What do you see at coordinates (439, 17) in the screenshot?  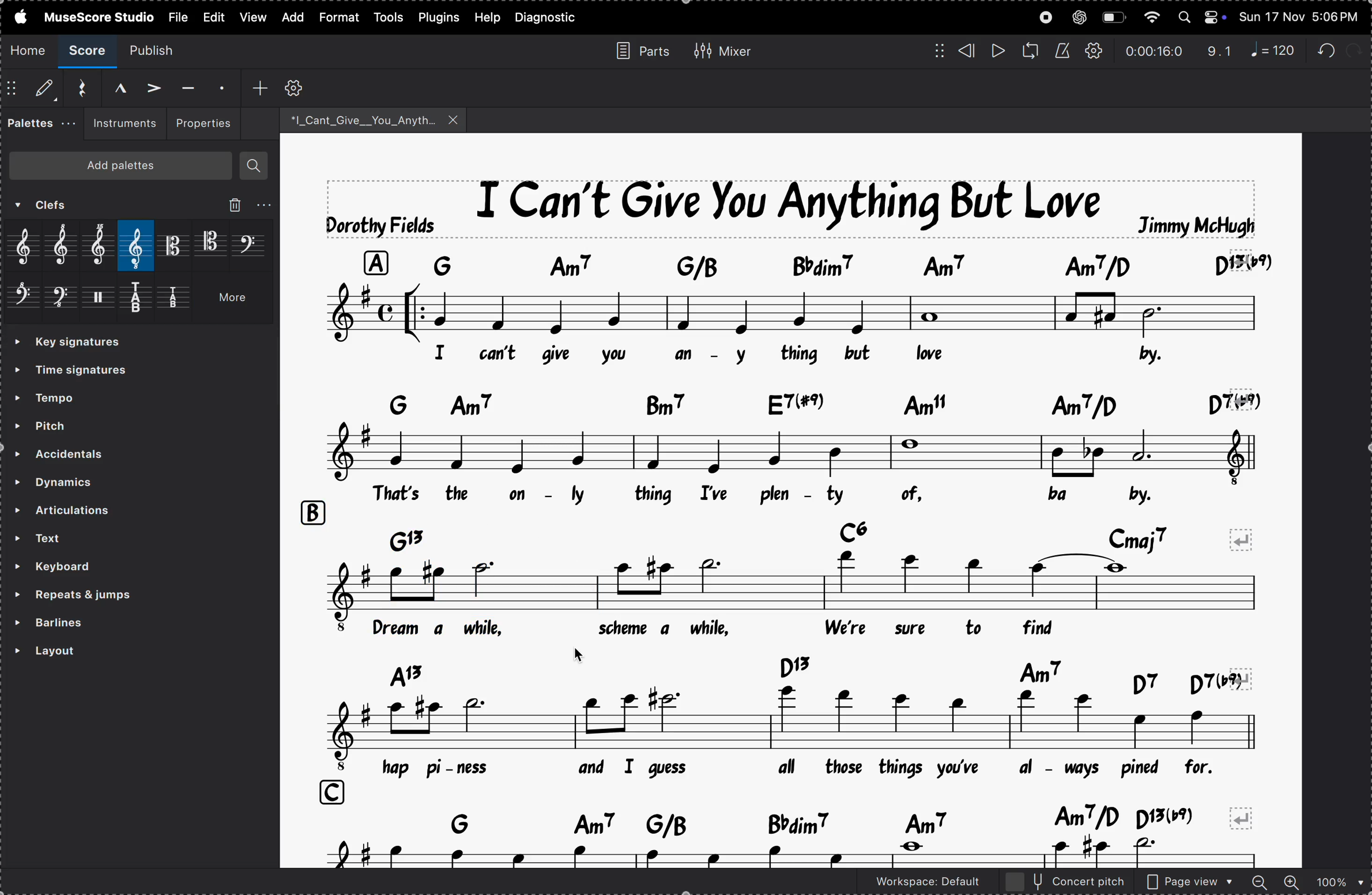 I see `plugins` at bounding box center [439, 17].